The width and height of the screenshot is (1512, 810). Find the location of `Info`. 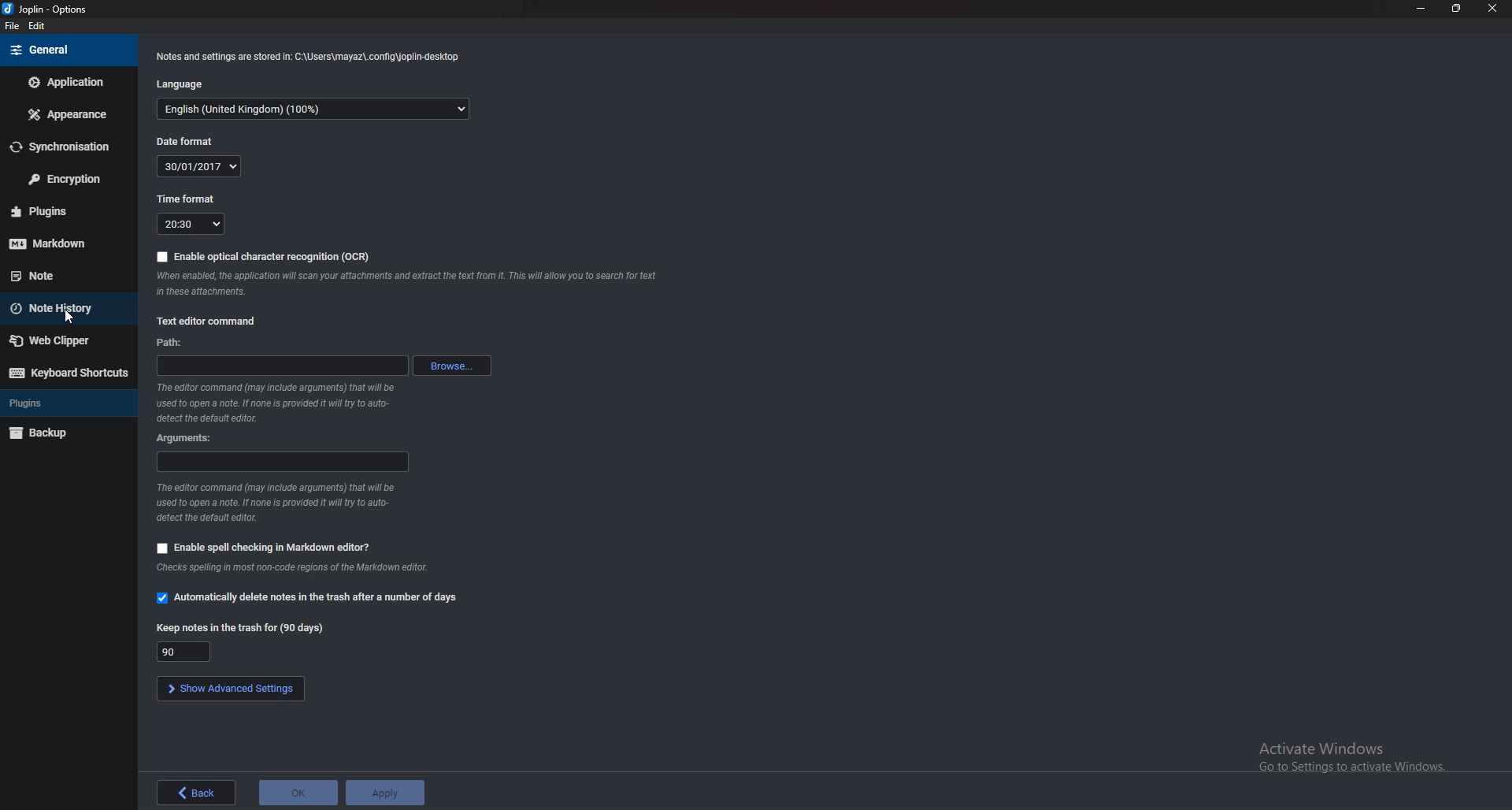

Info is located at coordinates (307, 567).